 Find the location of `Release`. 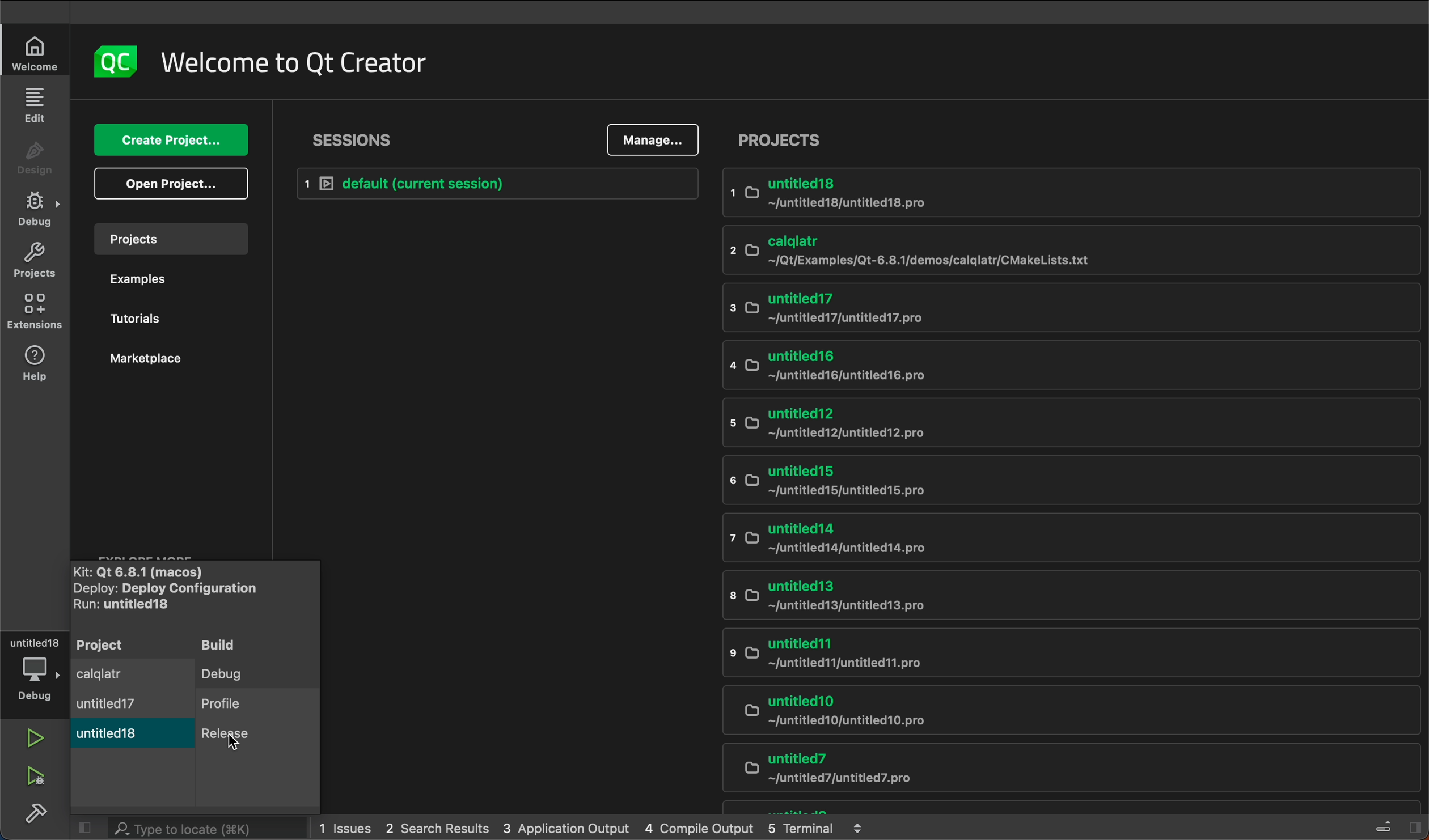

Release is located at coordinates (240, 743).